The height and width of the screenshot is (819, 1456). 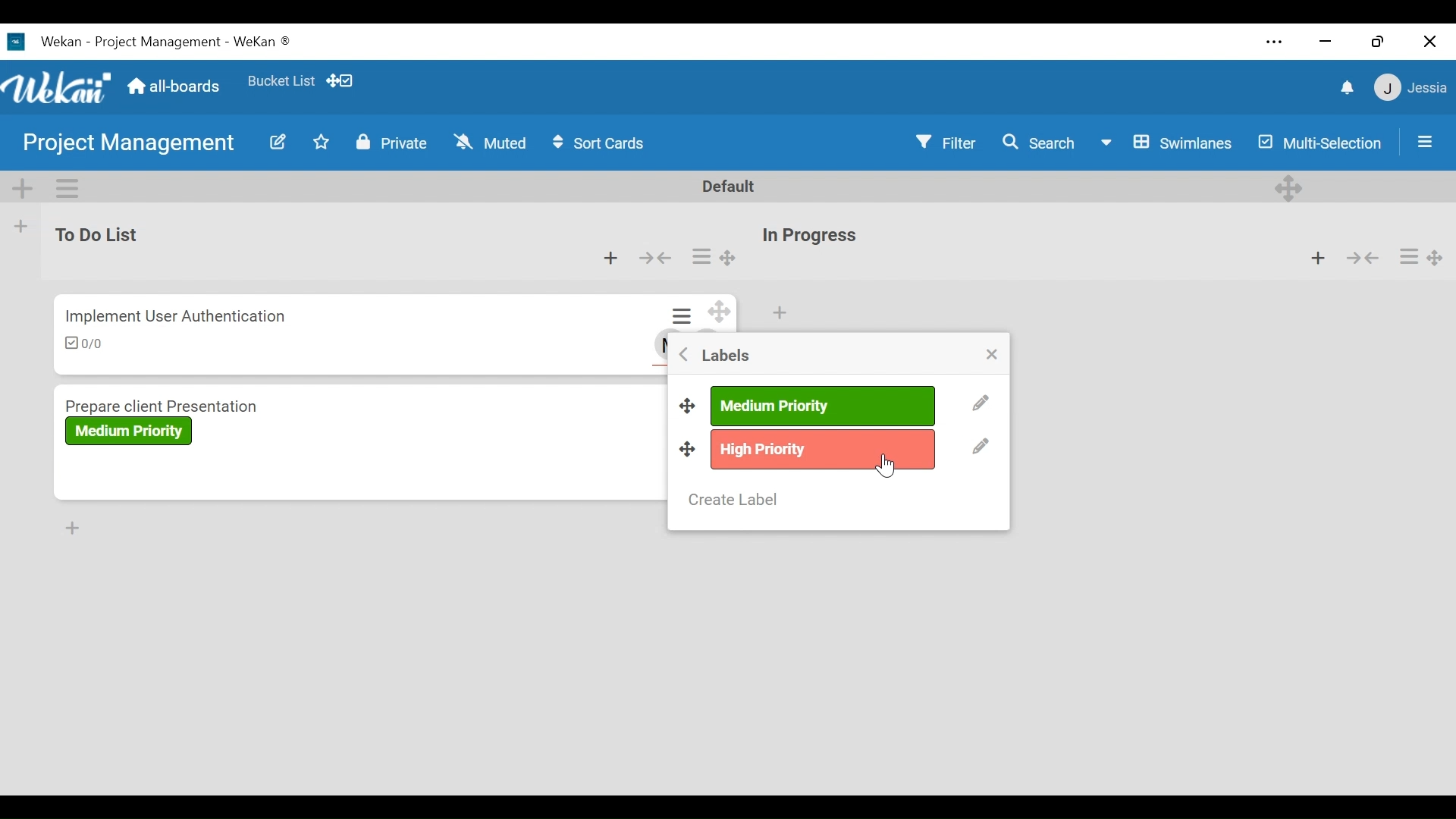 I want to click on Card Title, so click(x=169, y=316).